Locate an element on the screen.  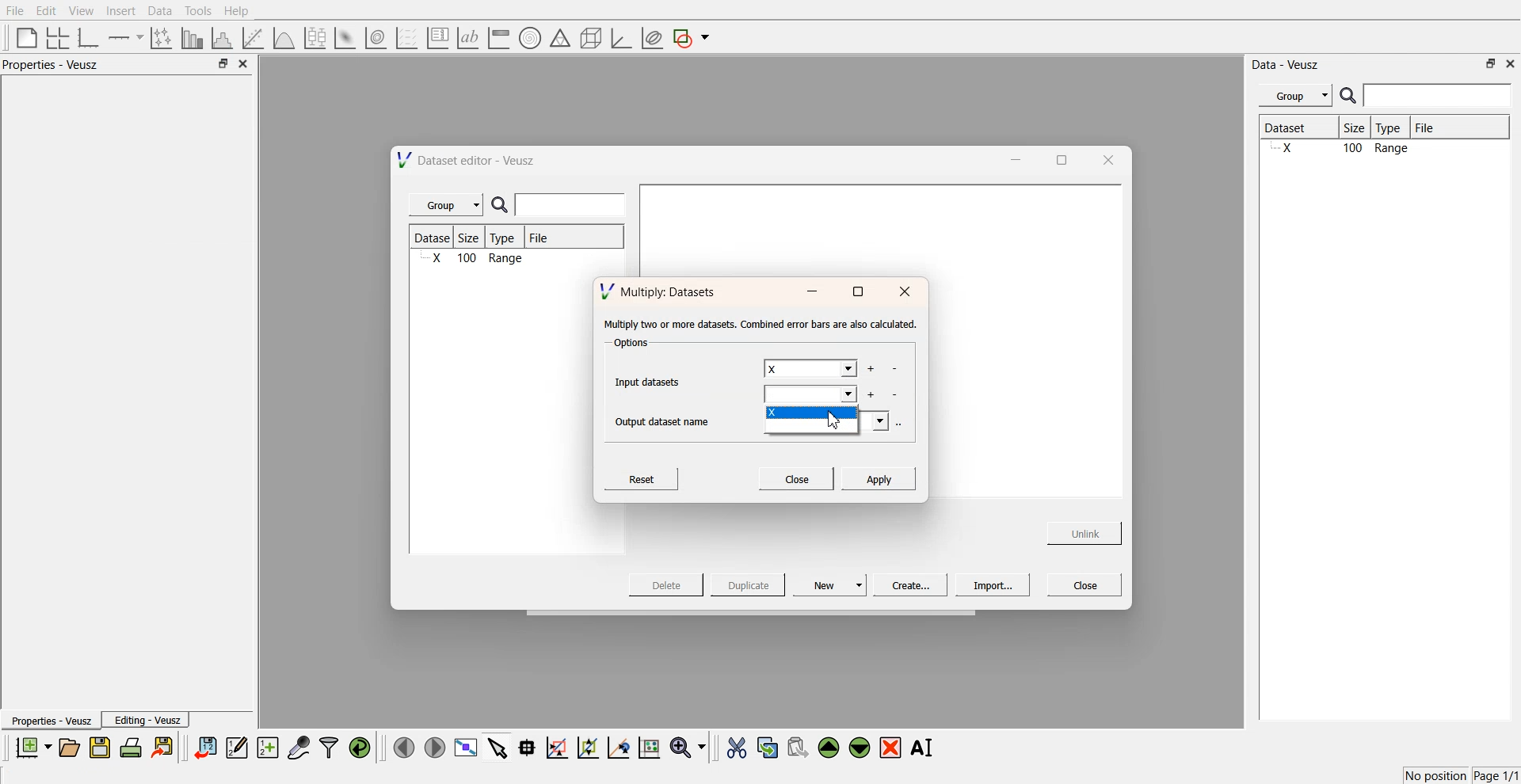
Type is located at coordinates (507, 238).